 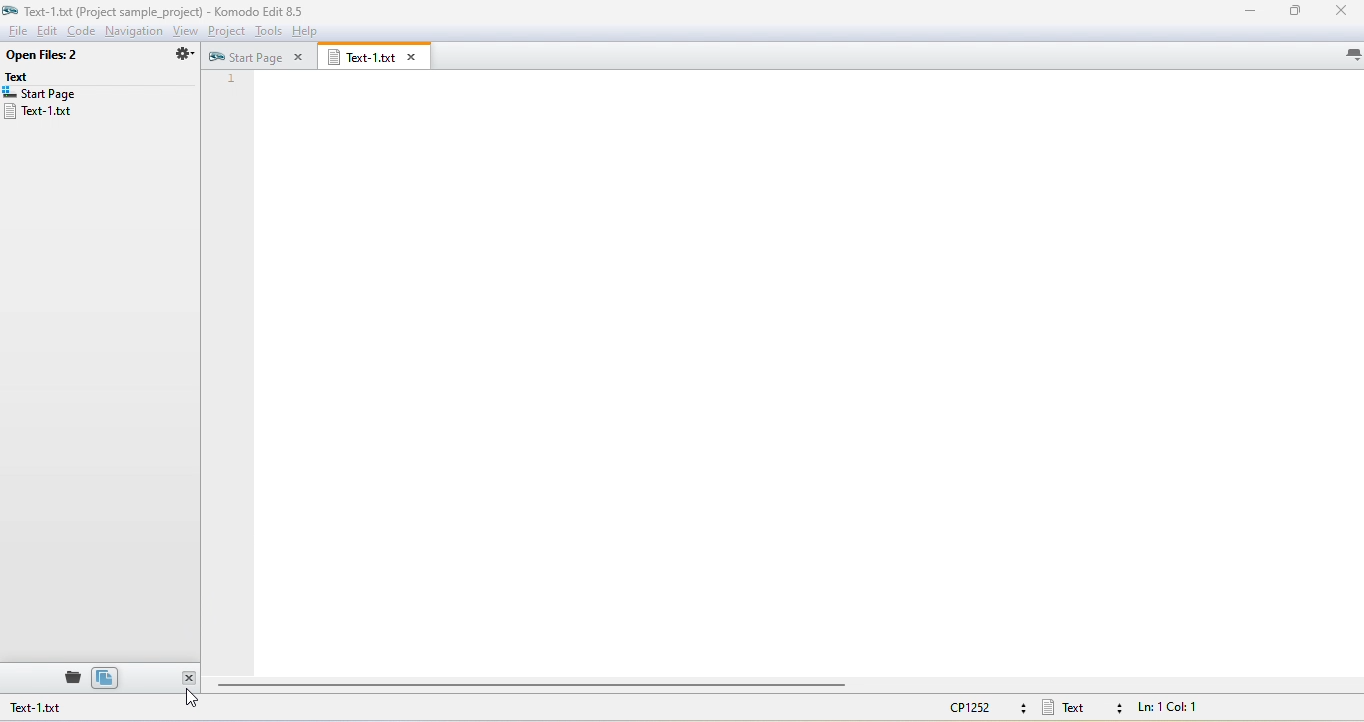 What do you see at coordinates (188, 677) in the screenshot?
I see `close` at bounding box center [188, 677].